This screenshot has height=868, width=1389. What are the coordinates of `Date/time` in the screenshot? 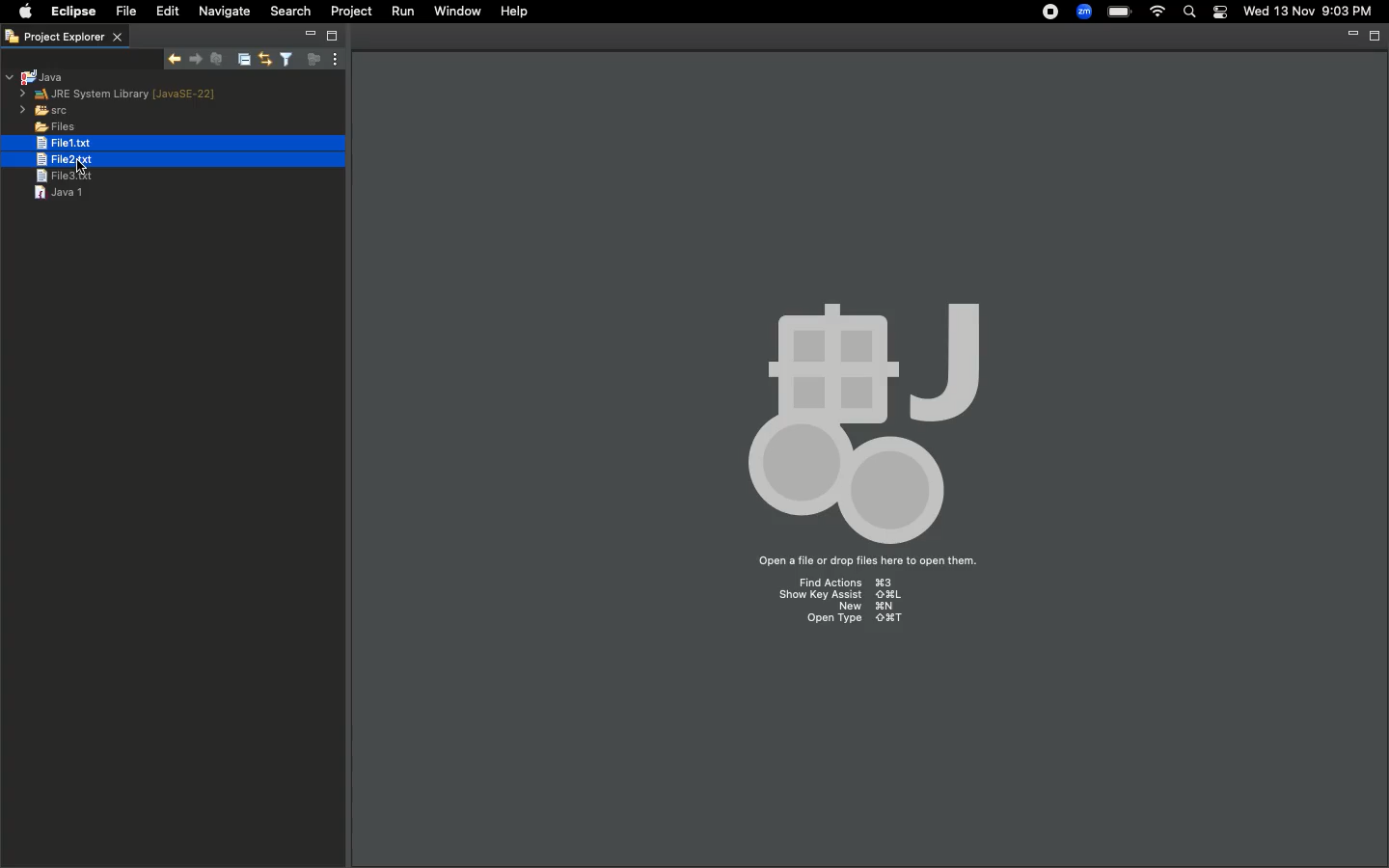 It's located at (1310, 12).